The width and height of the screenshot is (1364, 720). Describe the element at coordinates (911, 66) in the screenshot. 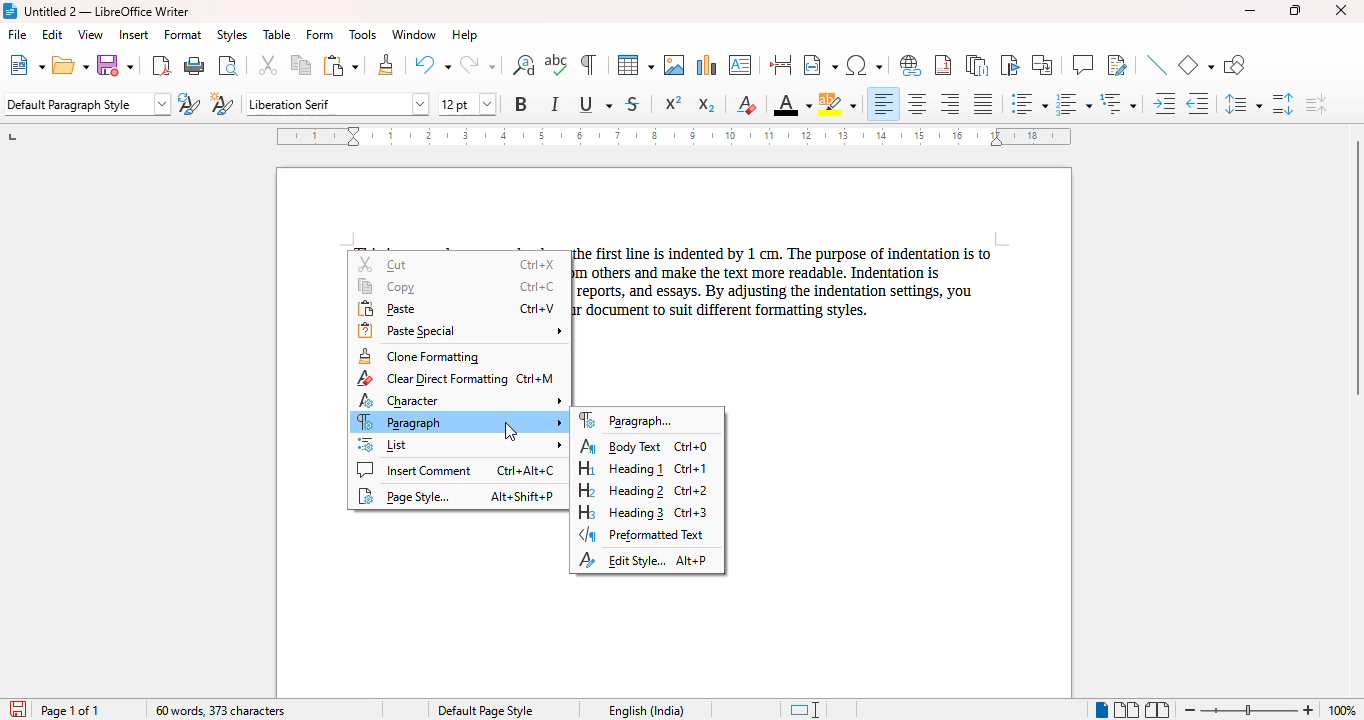

I see `insert hyperlink` at that location.